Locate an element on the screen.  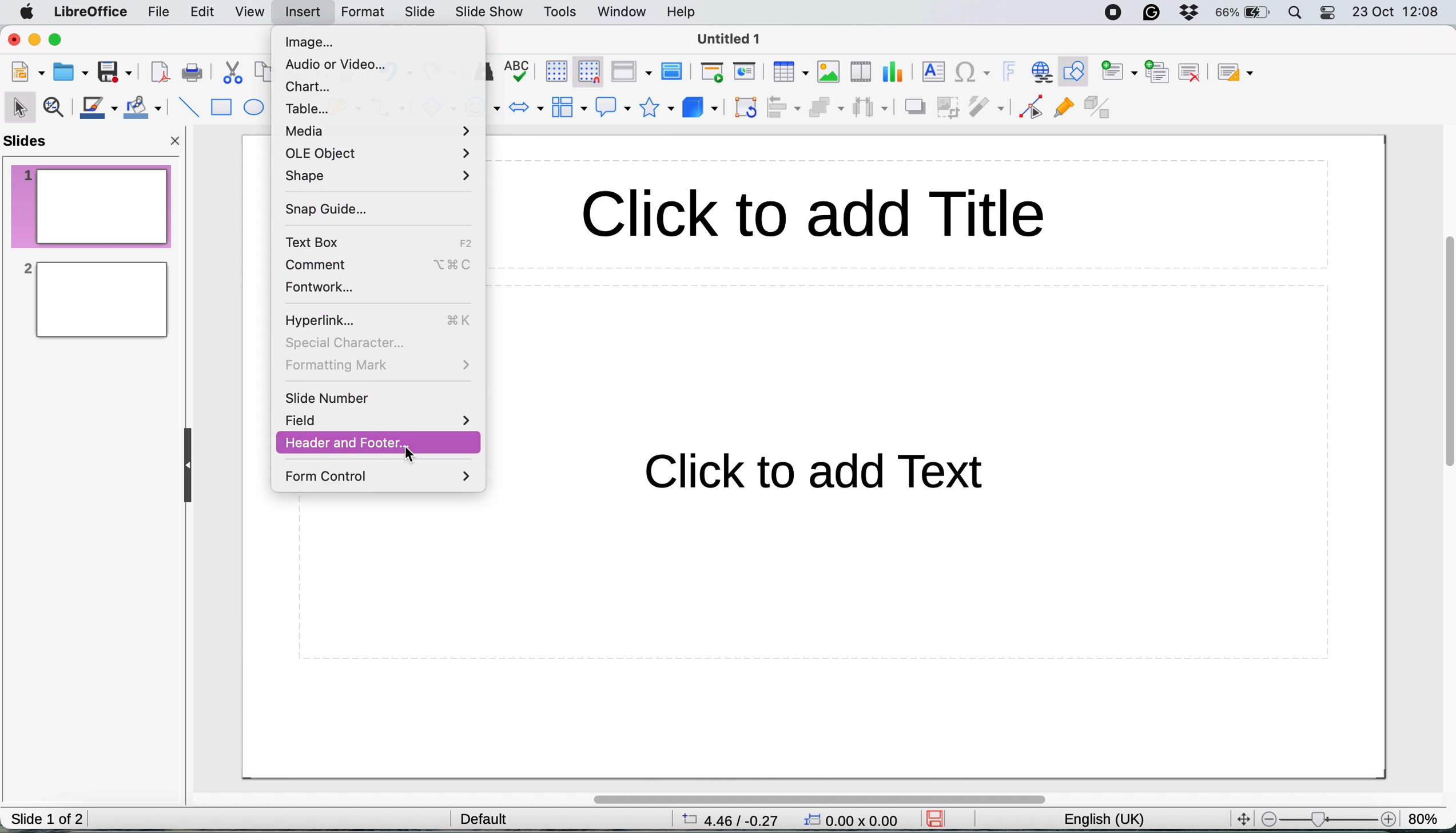
0.00x0.00 is located at coordinates (853, 822).